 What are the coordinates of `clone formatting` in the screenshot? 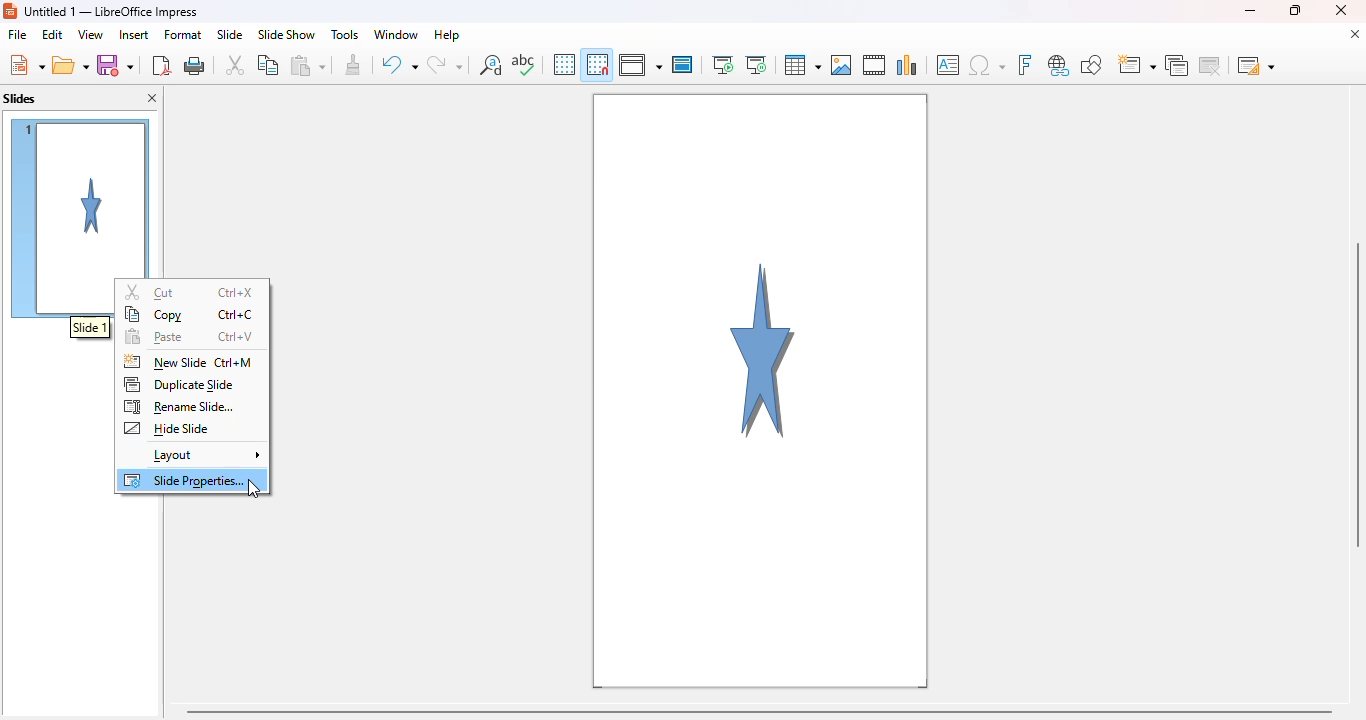 It's located at (353, 65).